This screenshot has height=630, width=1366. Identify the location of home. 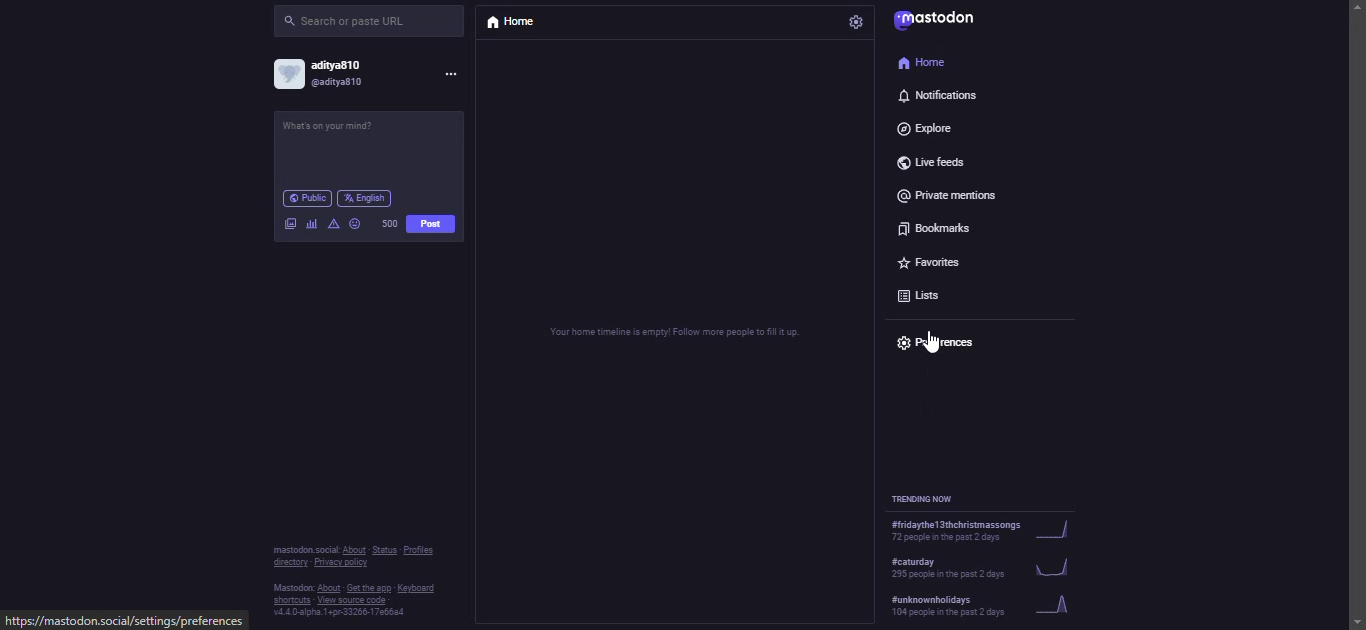
(925, 63).